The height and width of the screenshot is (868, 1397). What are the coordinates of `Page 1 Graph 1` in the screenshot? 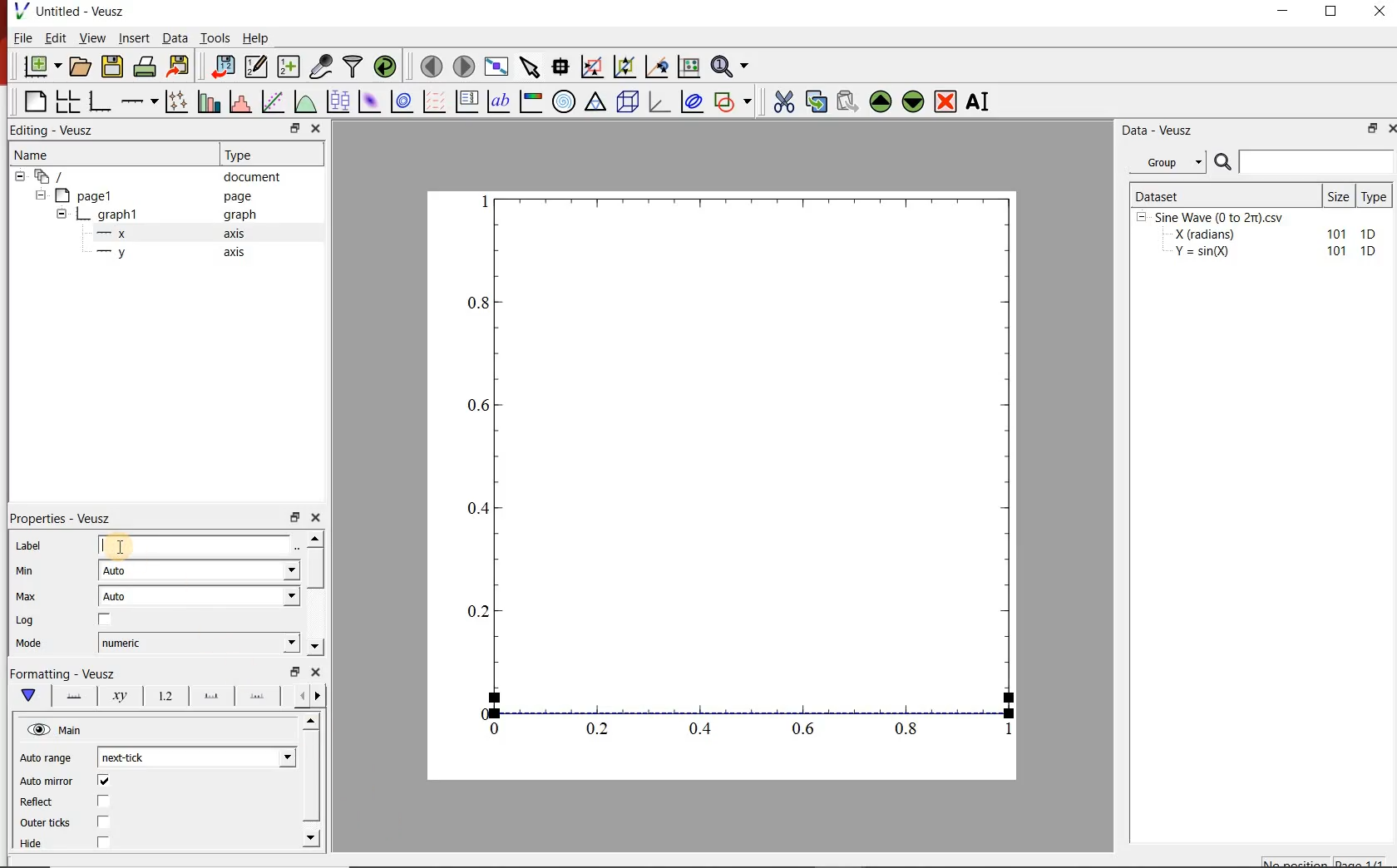 It's located at (80, 216).